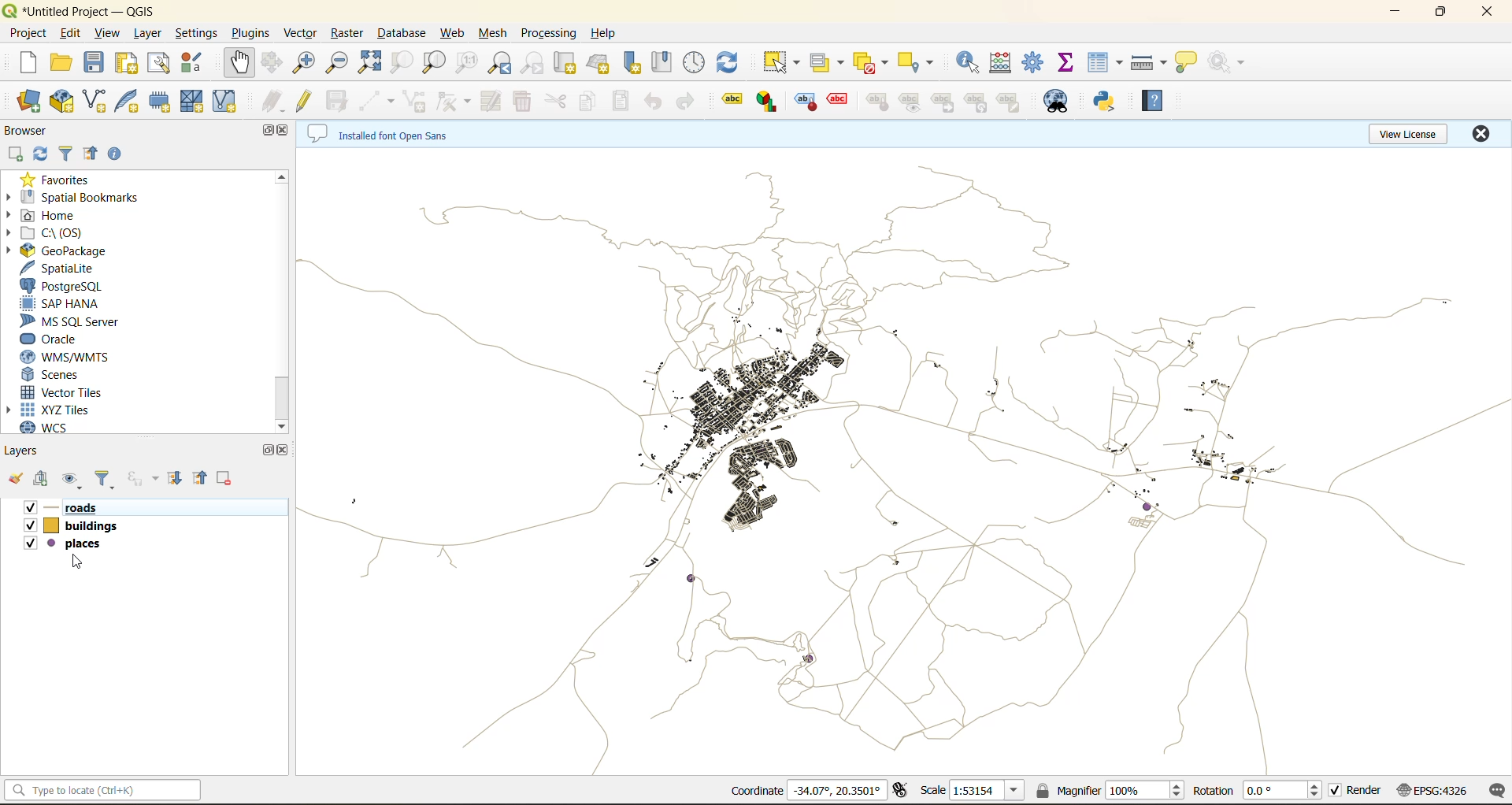 The width and height of the screenshot is (1512, 805). What do you see at coordinates (204, 478) in the screenshot?
I see `collapse all` at bounding box center [204, 478].